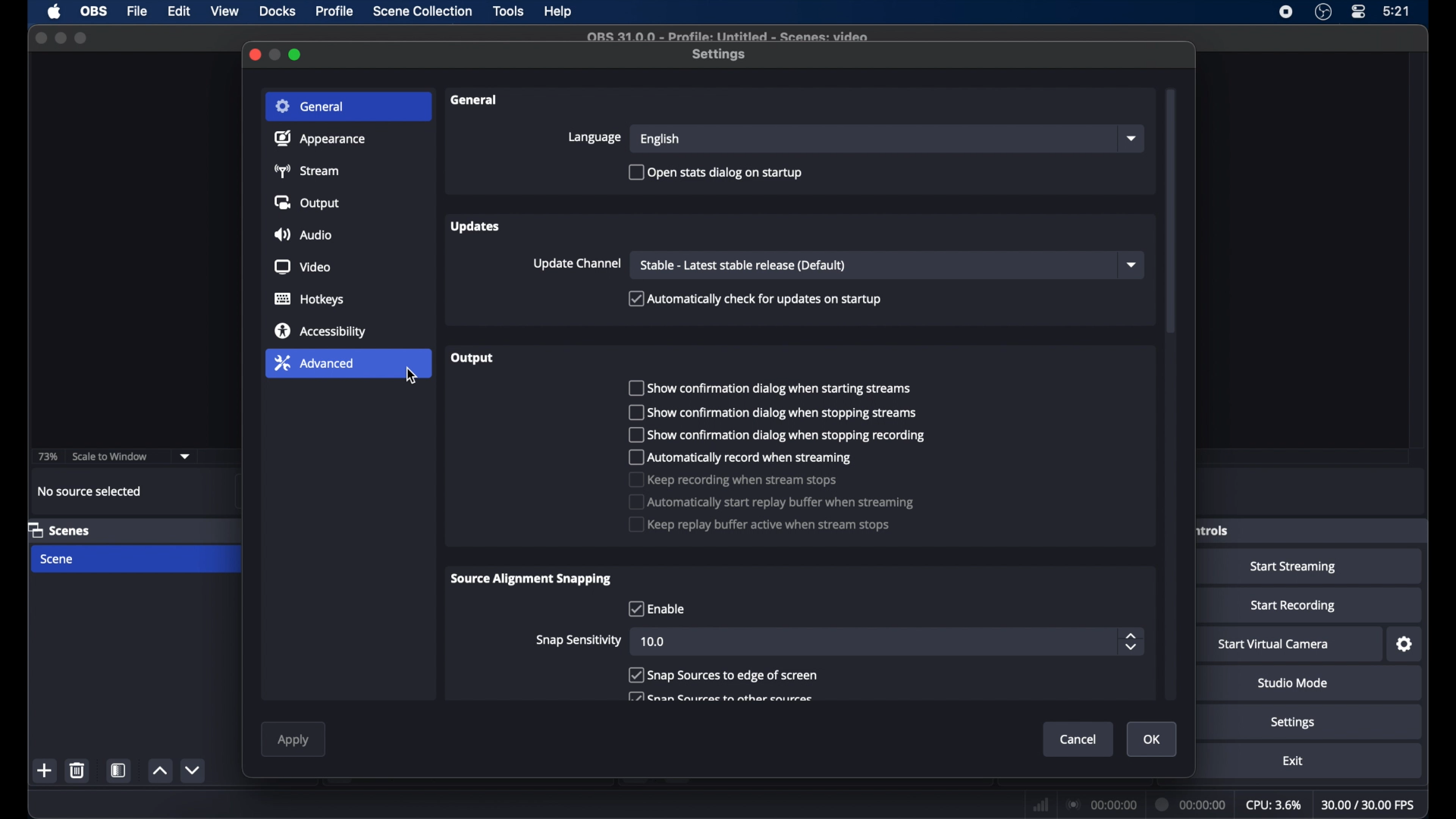 This screenshot has height=819, width=1456. Describe the element at coordinates (1153, 739) in the screenshot. I see `ok` at that location.